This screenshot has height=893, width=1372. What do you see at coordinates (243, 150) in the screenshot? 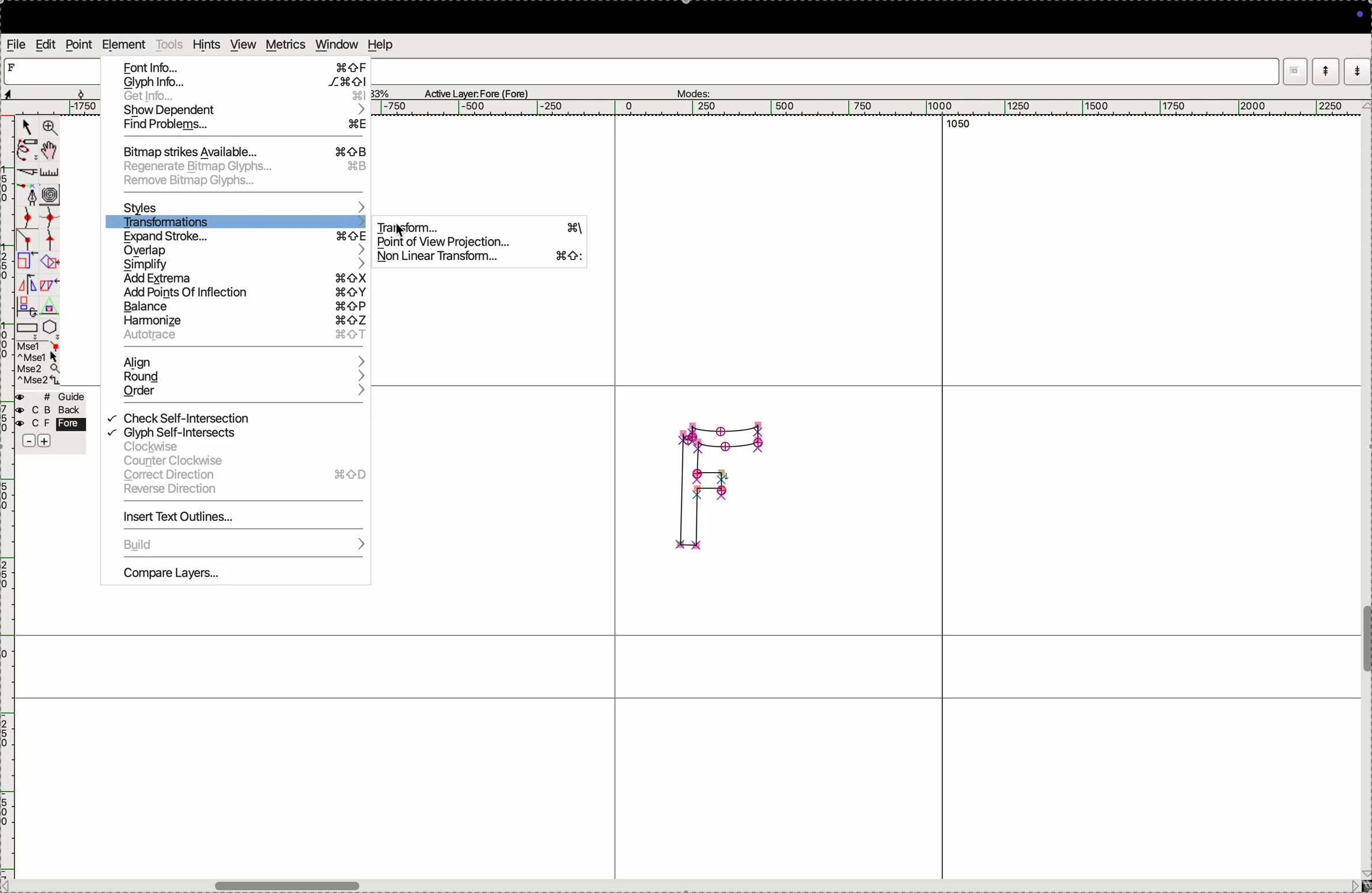
I see `bitmap strikes available` at bounding box center [243, 150].